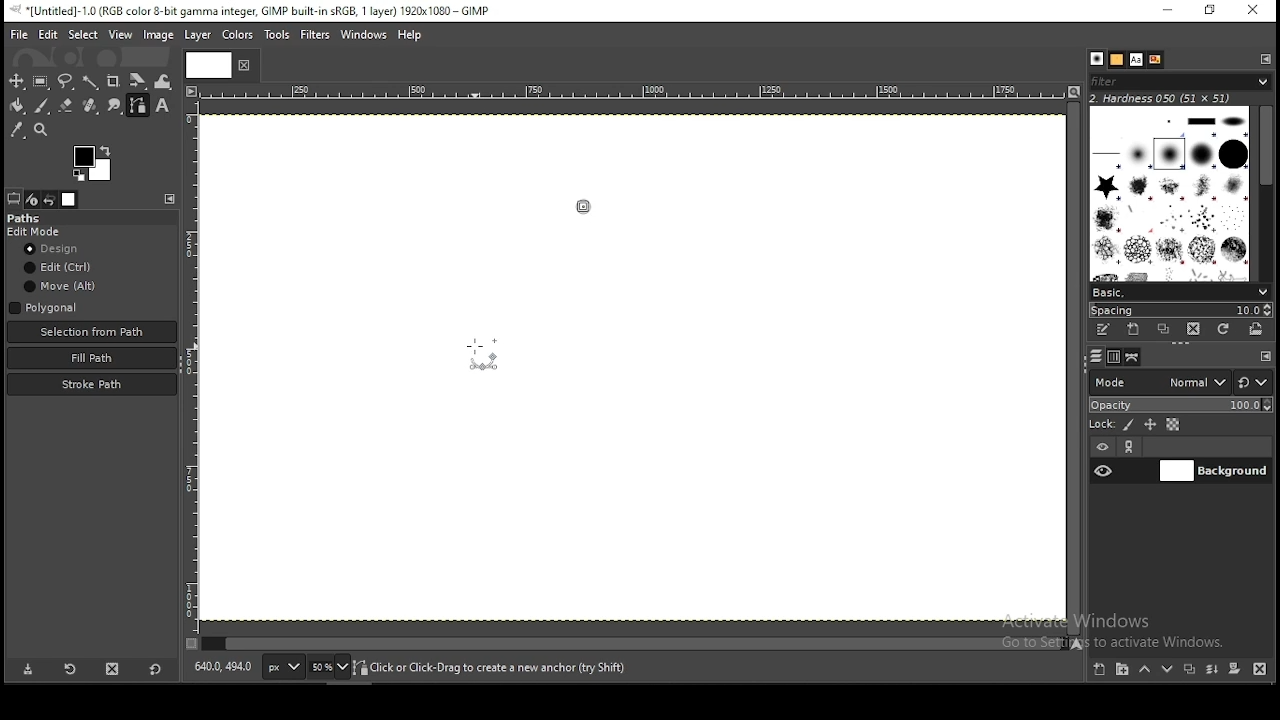 The image size is (1280, 720). What do you see at coordinates (1117, 60) in the screenshot?
I see `patterns` at bounding box center [1117, 60].